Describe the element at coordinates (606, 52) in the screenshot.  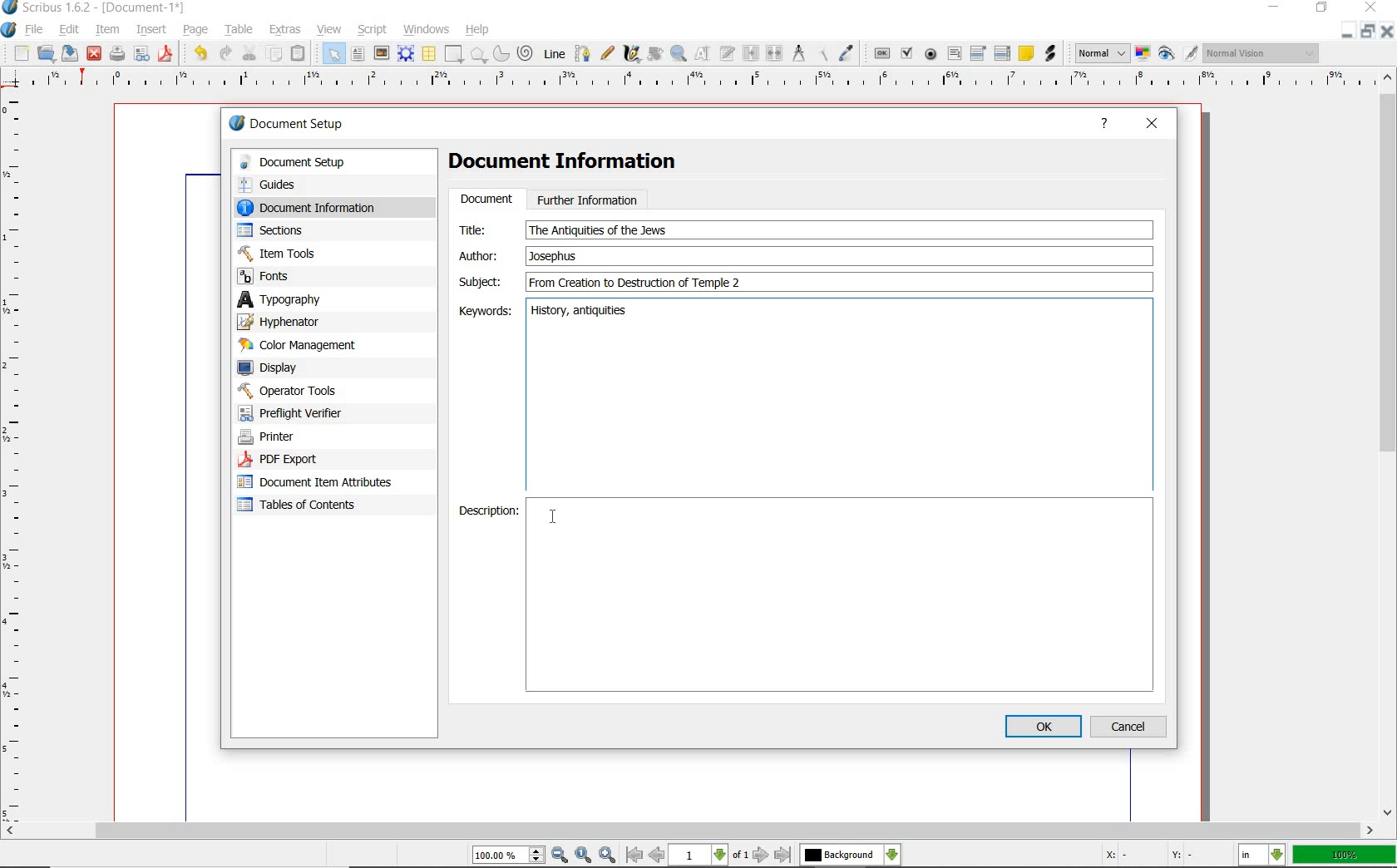
I see `freehand line` at that location.